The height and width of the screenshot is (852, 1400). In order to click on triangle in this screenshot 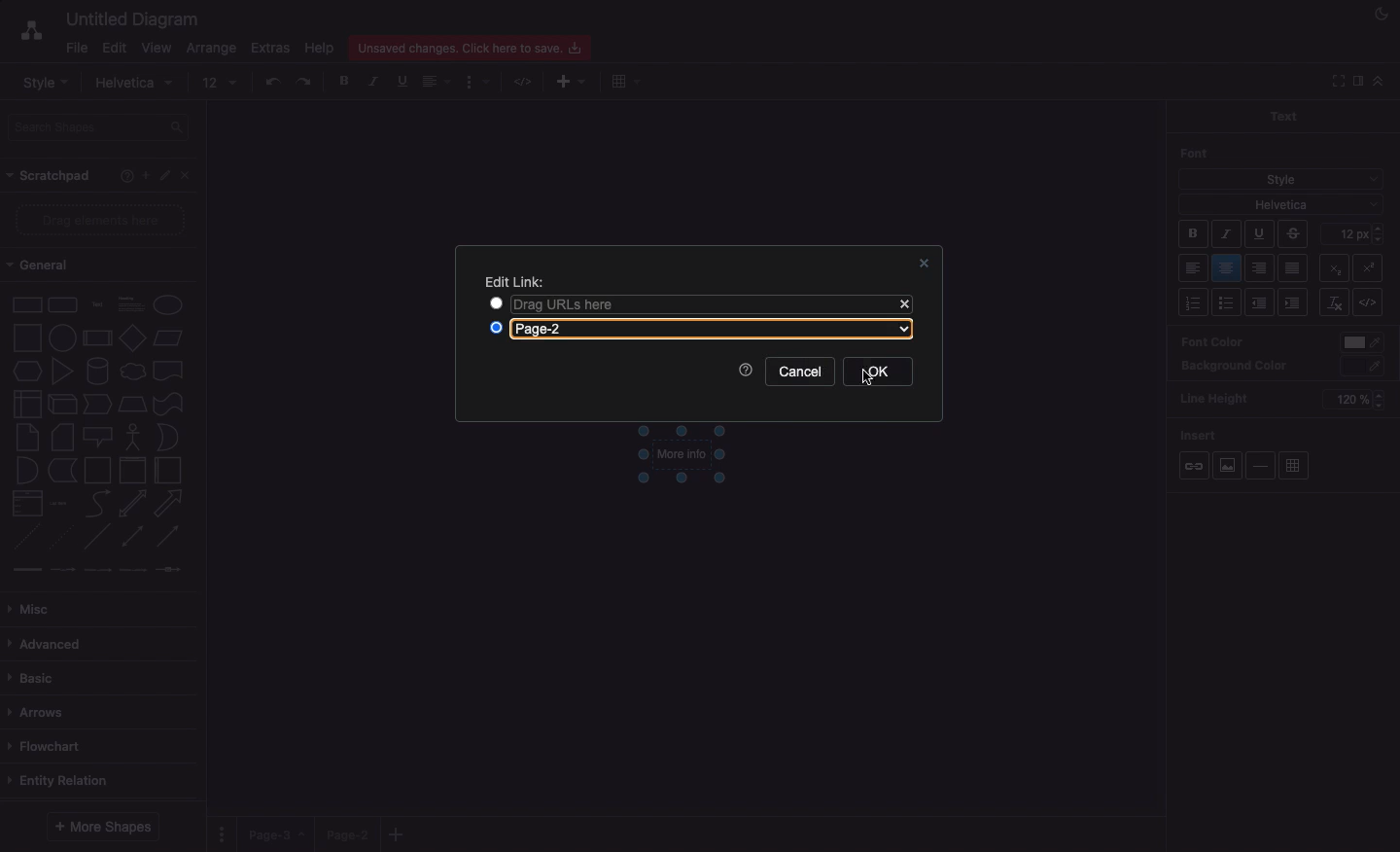, I will do `click(63, 371)`.